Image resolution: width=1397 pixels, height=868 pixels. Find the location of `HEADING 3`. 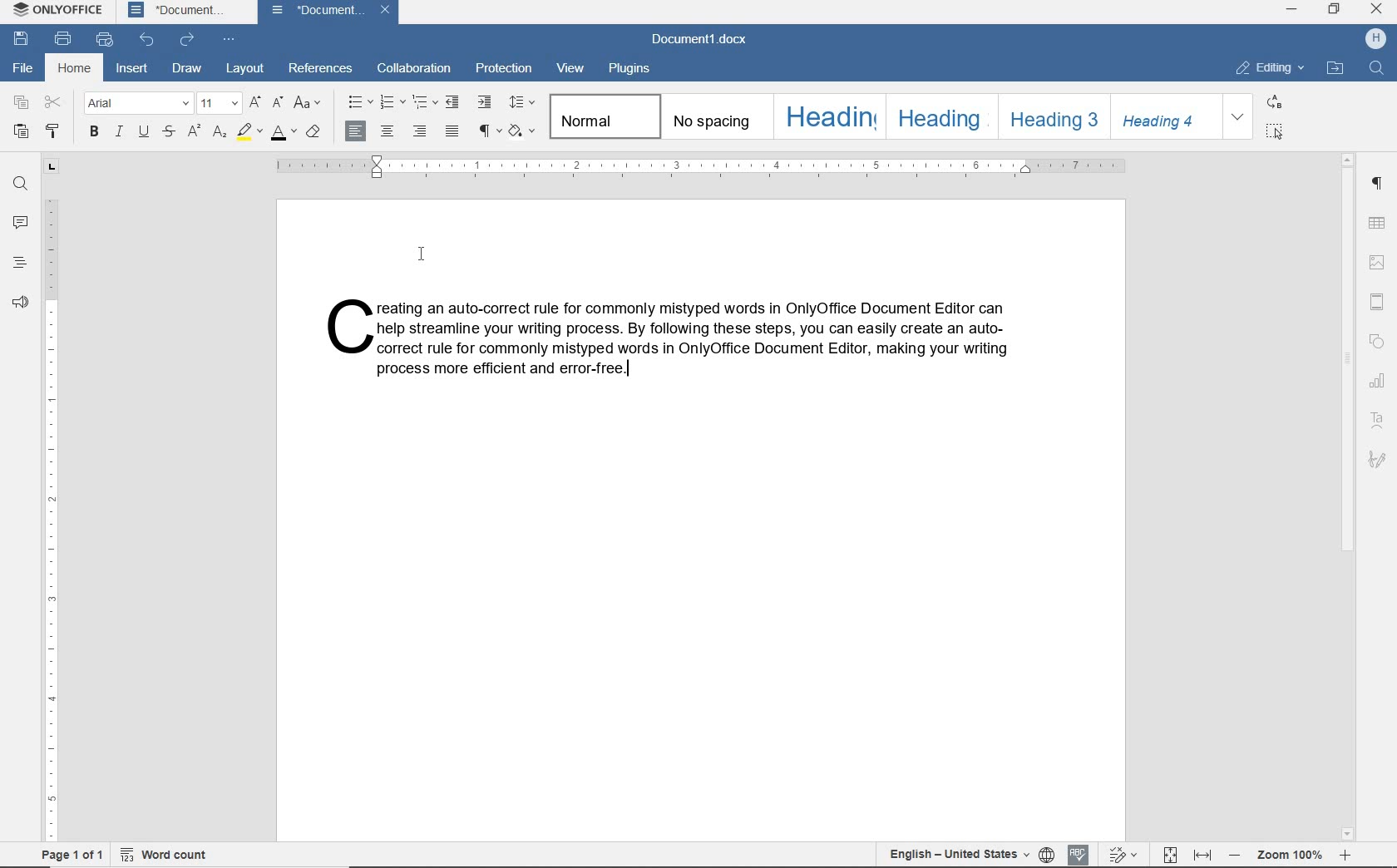

HEADING 3 is located at coordinates (1051, 116).